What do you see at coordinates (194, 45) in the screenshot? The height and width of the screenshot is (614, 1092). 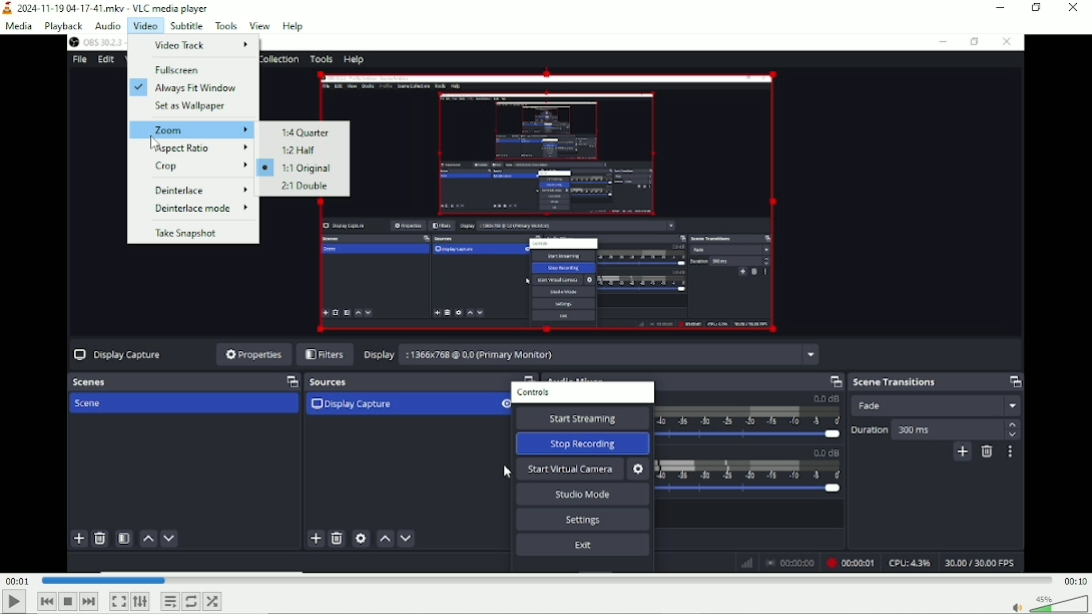 I see `Video track` at bounding box center [194, 45].